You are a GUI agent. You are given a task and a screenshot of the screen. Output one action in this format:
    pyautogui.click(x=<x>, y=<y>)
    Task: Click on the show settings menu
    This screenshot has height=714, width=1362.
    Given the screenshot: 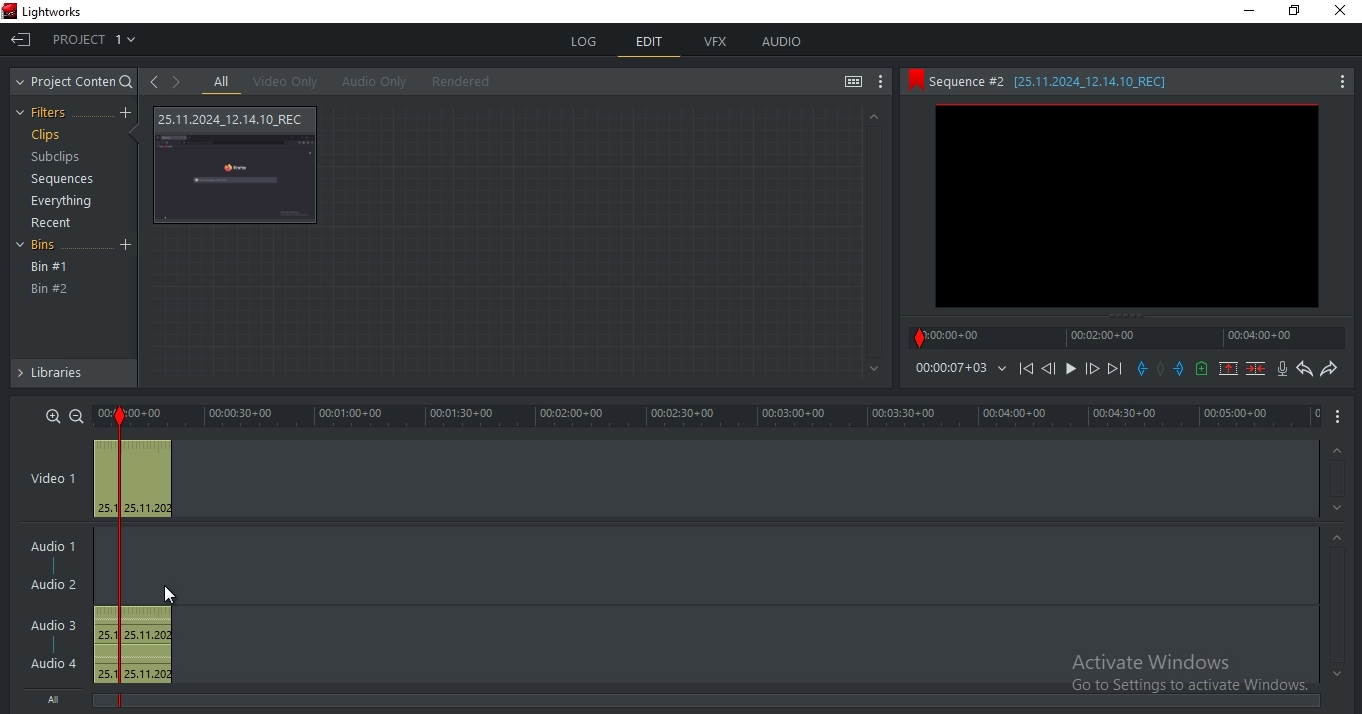 What is the action you would take?
    pyautogui.click(x=882, y=84)
    